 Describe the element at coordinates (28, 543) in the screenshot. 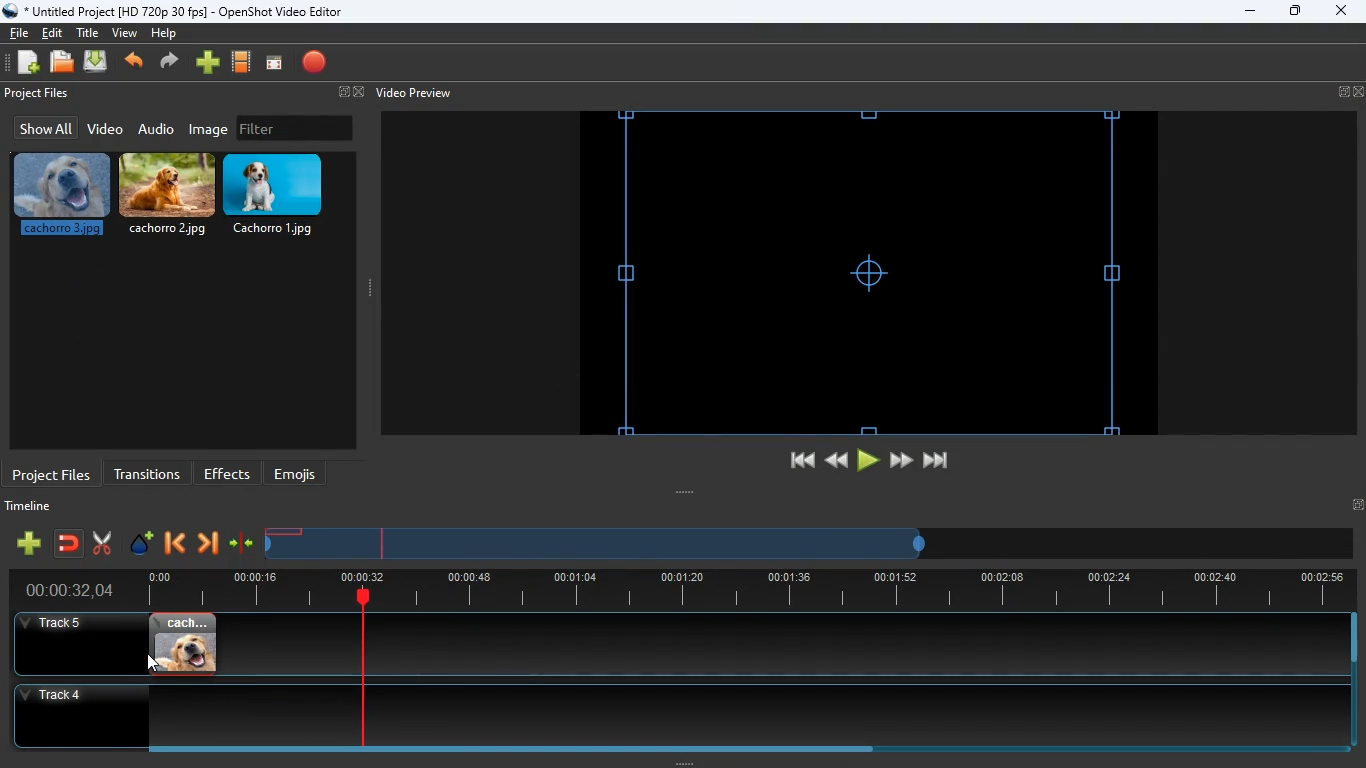

I see `add` at that location.